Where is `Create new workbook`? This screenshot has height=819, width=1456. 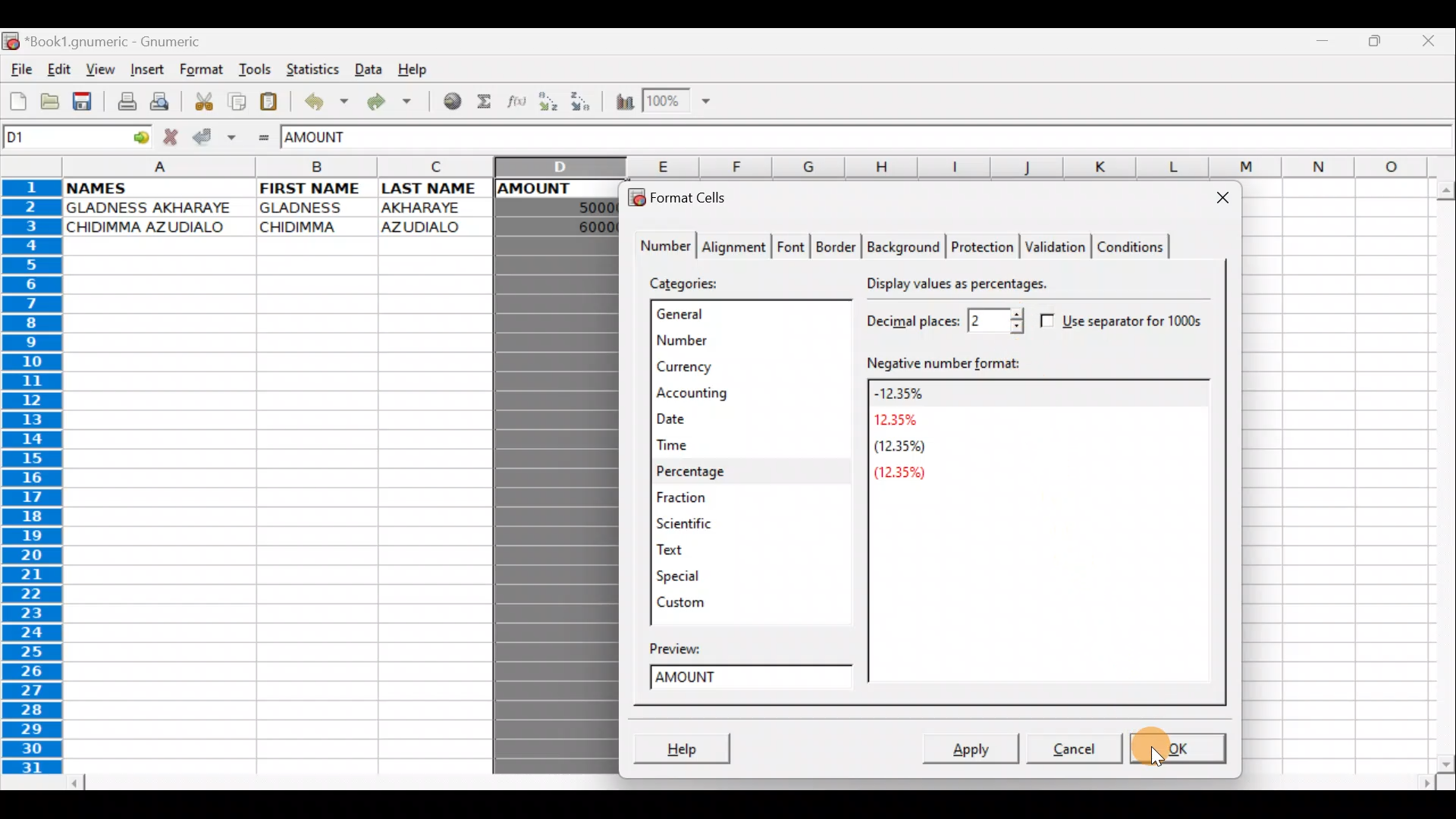
Create new workbook is located at coordinates (17, 102).